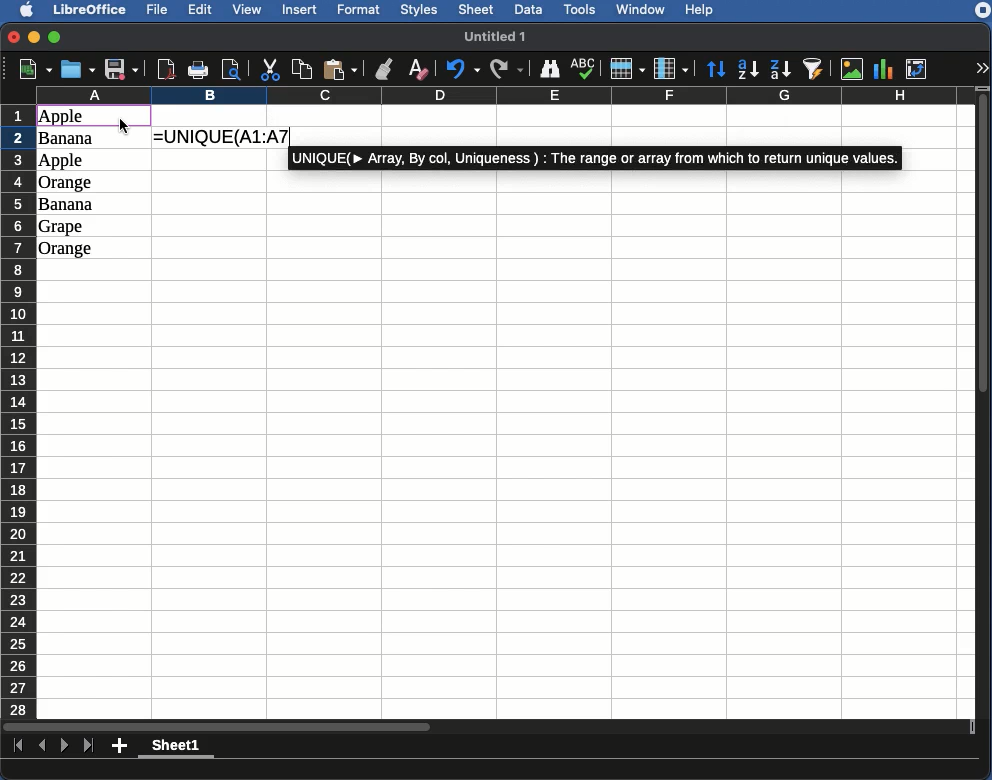  What do you see at coordinates (67, 205) in the screenshot?
I see `Banana` at bounding box center [67, 205].